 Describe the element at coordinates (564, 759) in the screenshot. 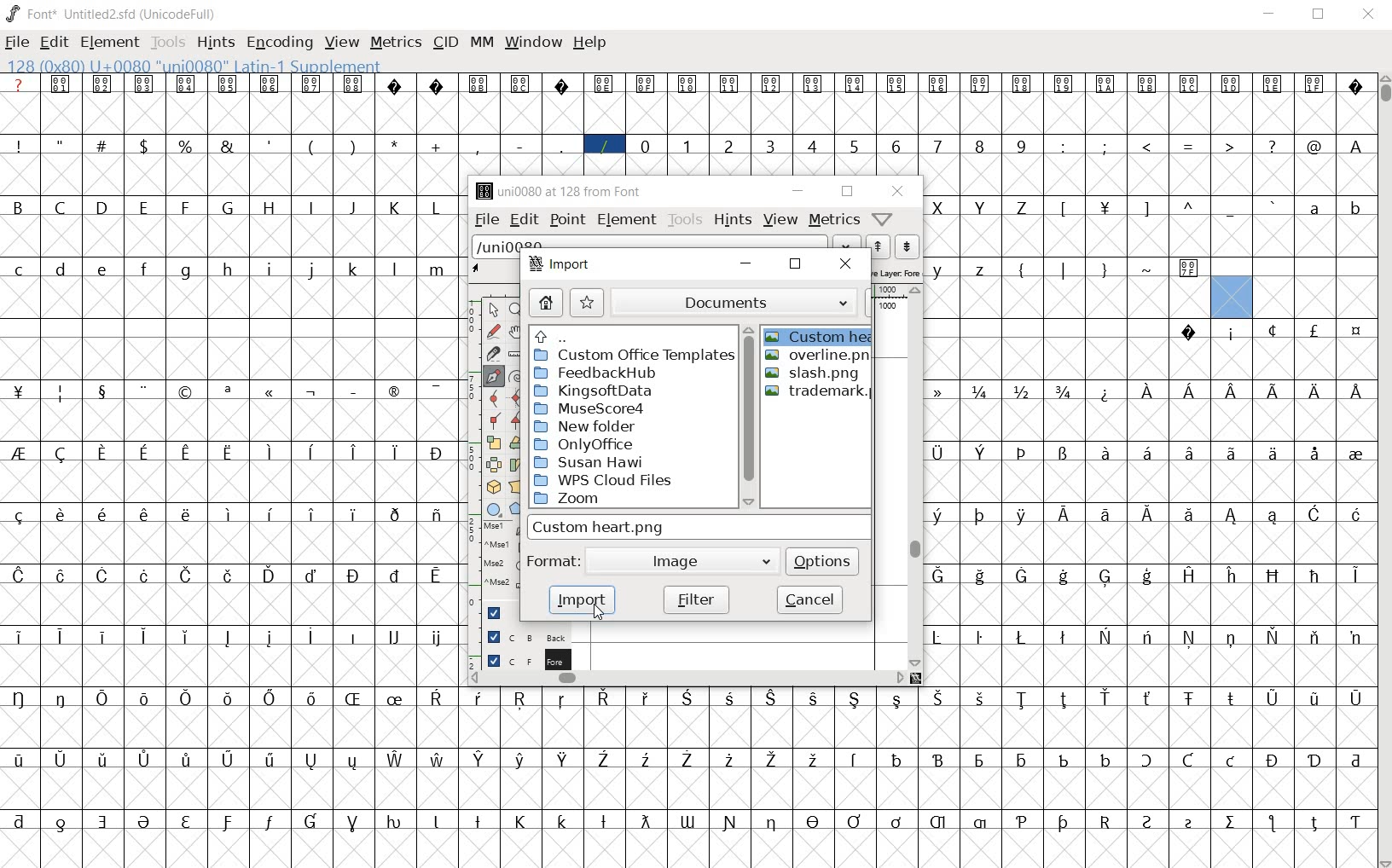

I see `glyph` at that location.